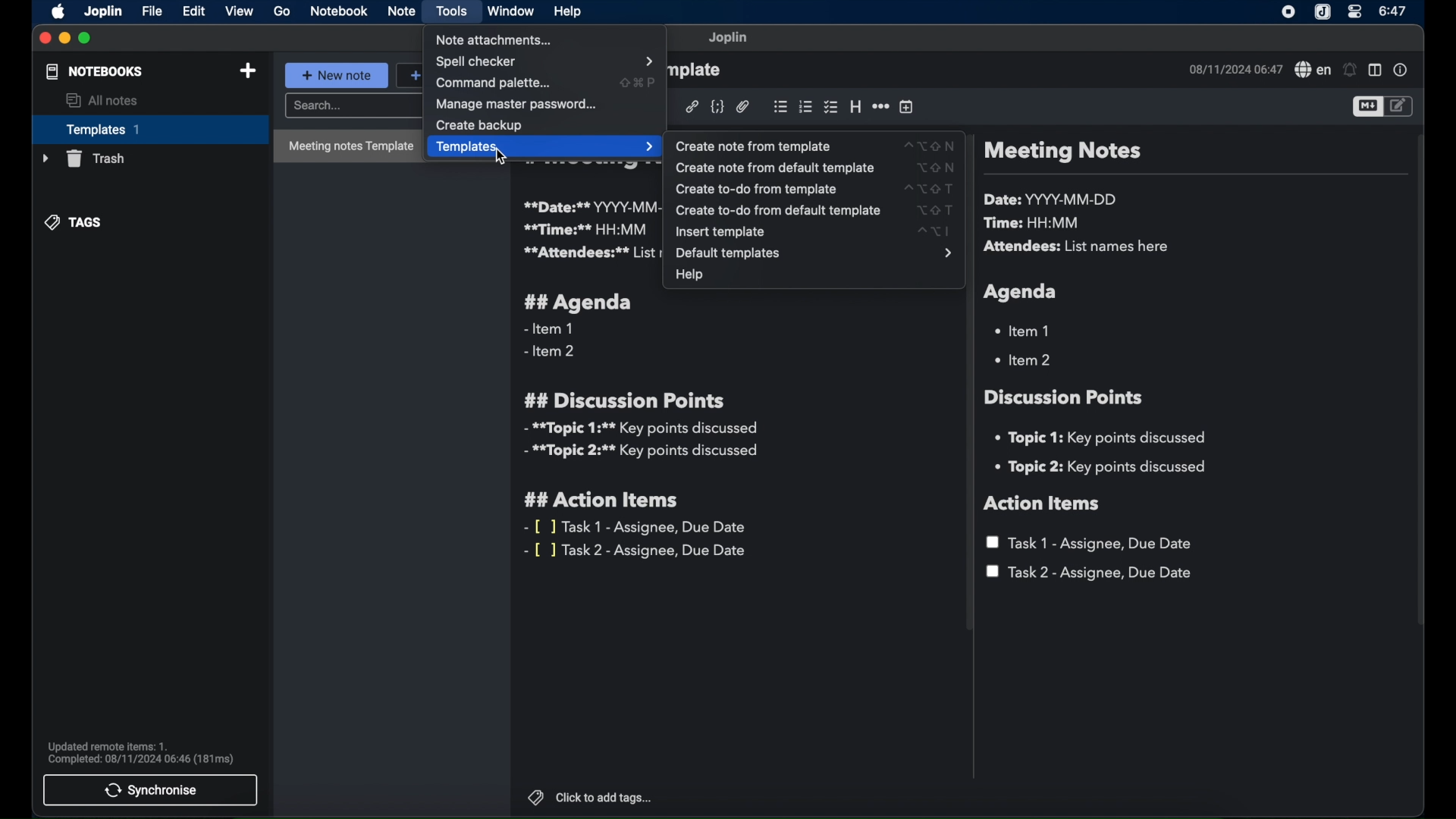 The image size is (1456, 819). Describe the element at coordinates (64, 38) in the screenshot. I see `minimize` at that location.